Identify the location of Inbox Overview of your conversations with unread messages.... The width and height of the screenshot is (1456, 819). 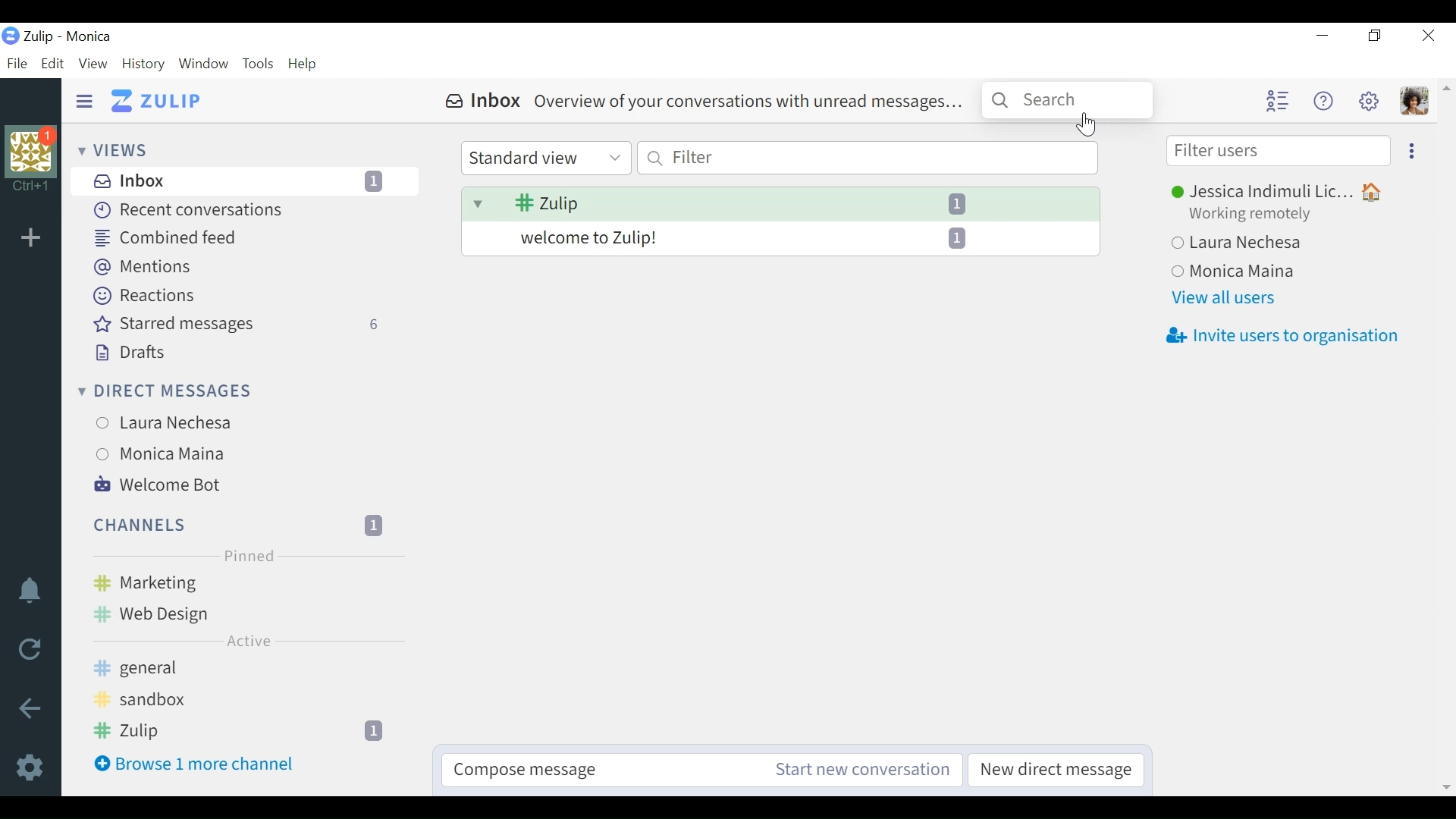
(701, 100).